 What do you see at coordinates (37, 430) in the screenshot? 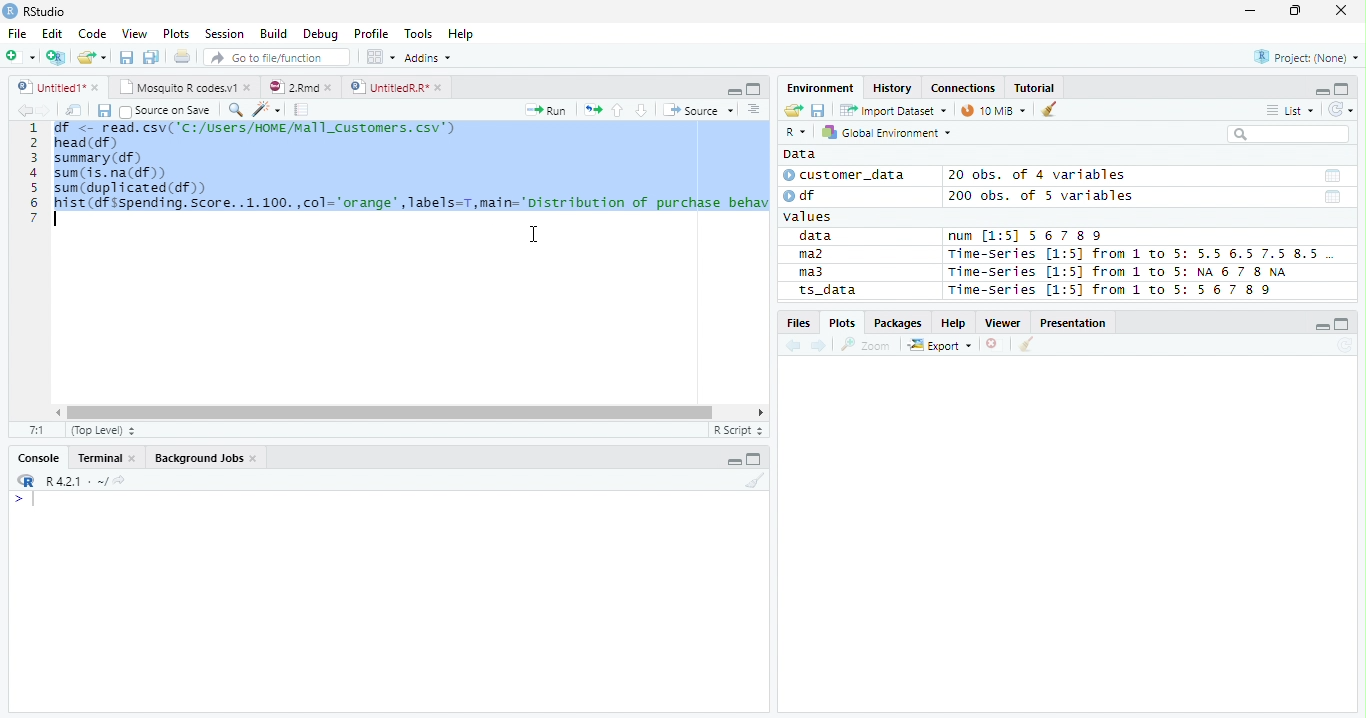
I see `1:1` at bounding box center [37, 430].